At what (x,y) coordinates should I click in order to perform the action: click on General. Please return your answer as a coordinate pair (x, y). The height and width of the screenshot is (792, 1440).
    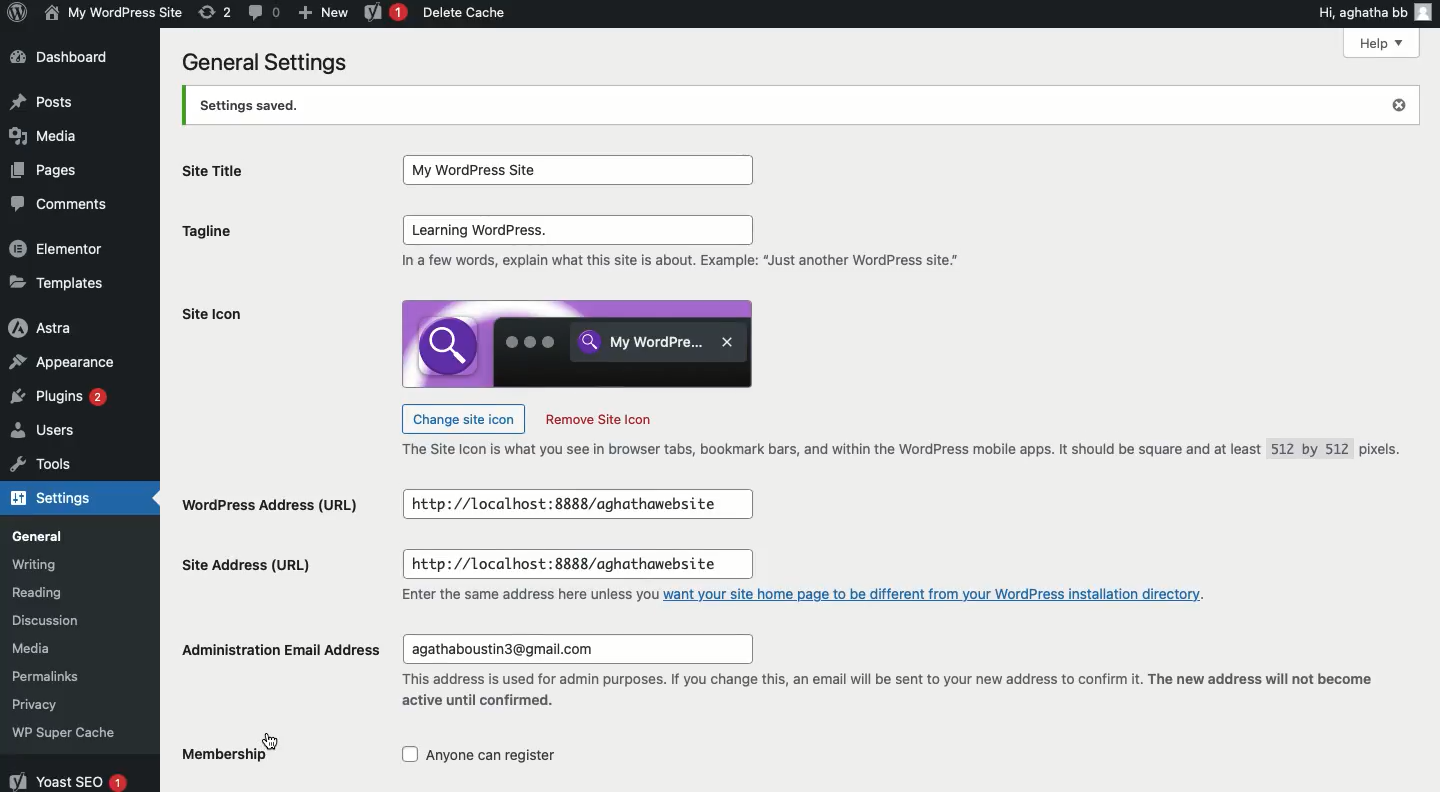
    Looking at the image, I should click on (64, 533).